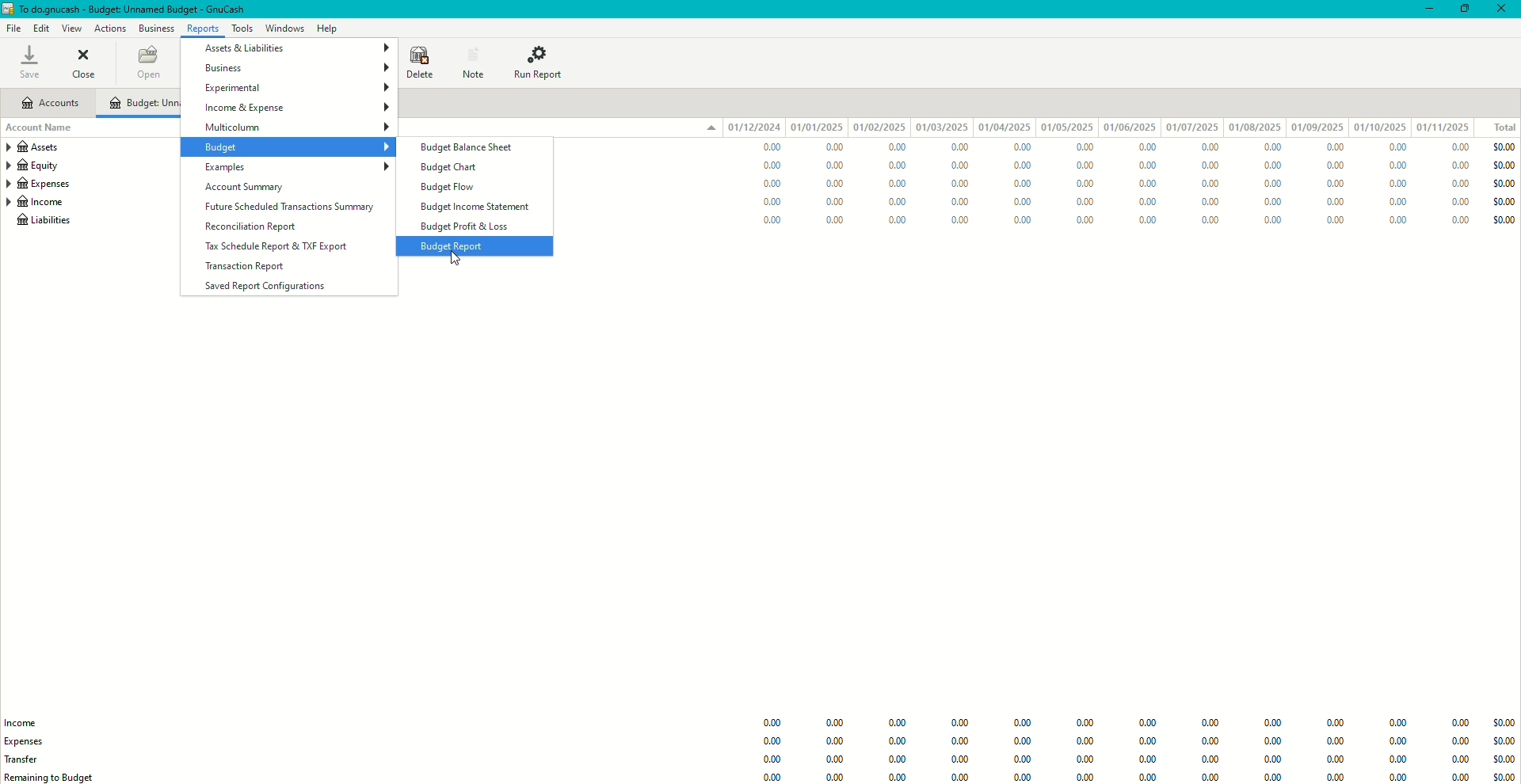 The width and height of the screenshot is (1521, 784). Describe the element at coordinates (1502, 776) in the screenshot. I see `$0.00` at that location.